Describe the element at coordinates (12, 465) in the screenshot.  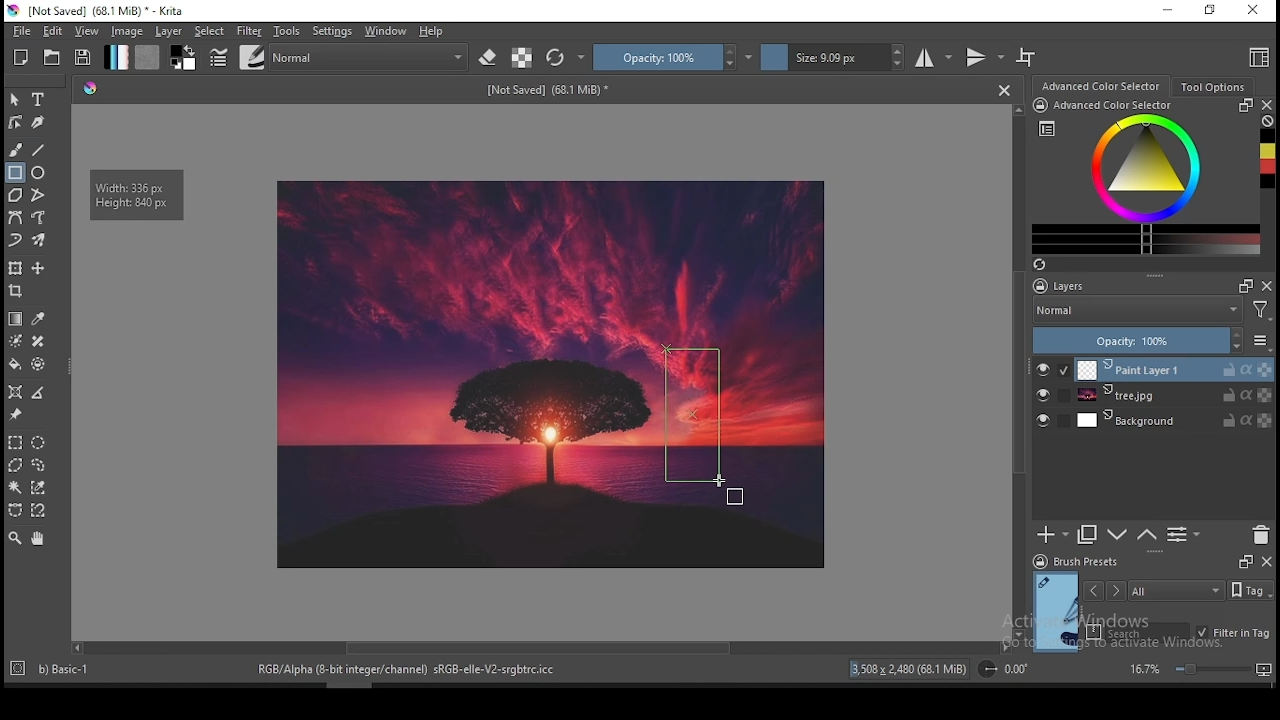
I see `polygon selection tool` at that location.